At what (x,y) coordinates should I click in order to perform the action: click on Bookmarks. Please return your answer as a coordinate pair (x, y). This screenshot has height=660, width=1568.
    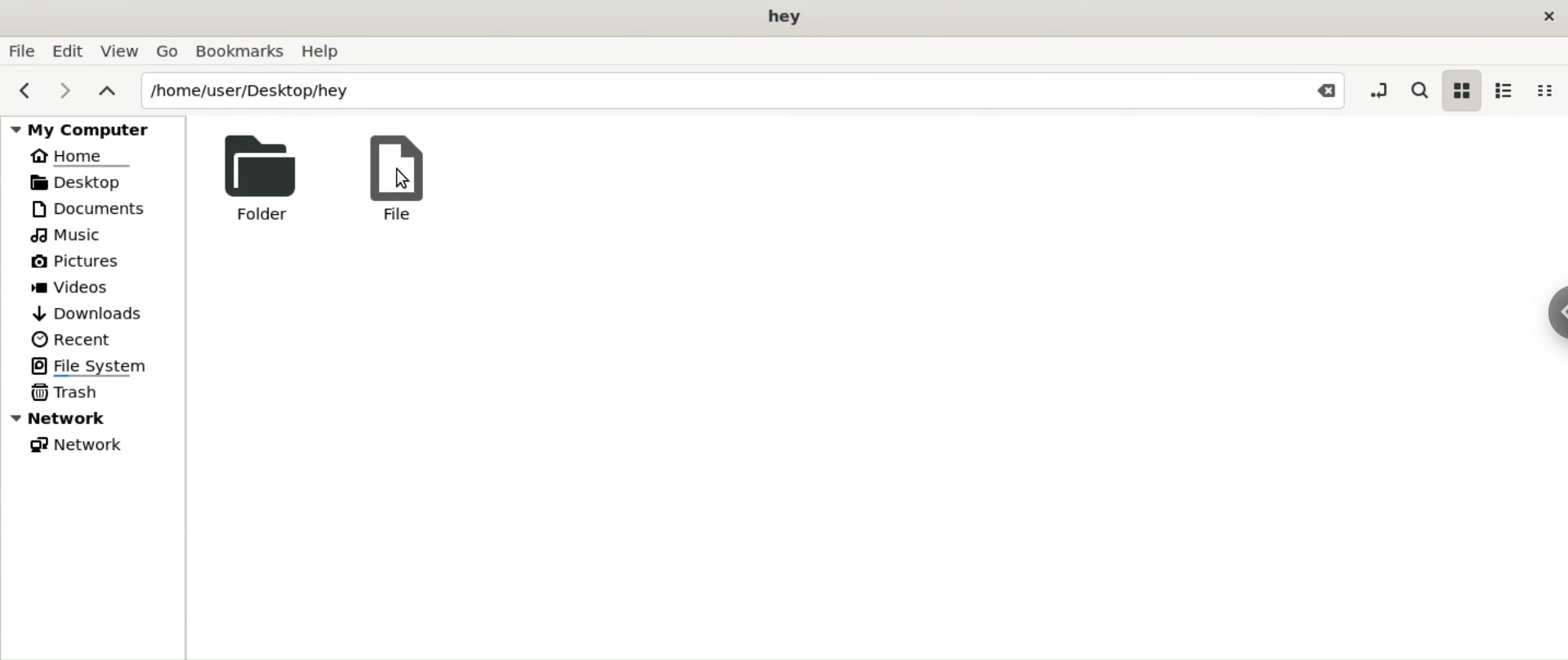
    Looking at the image, I should click on (242, 53).